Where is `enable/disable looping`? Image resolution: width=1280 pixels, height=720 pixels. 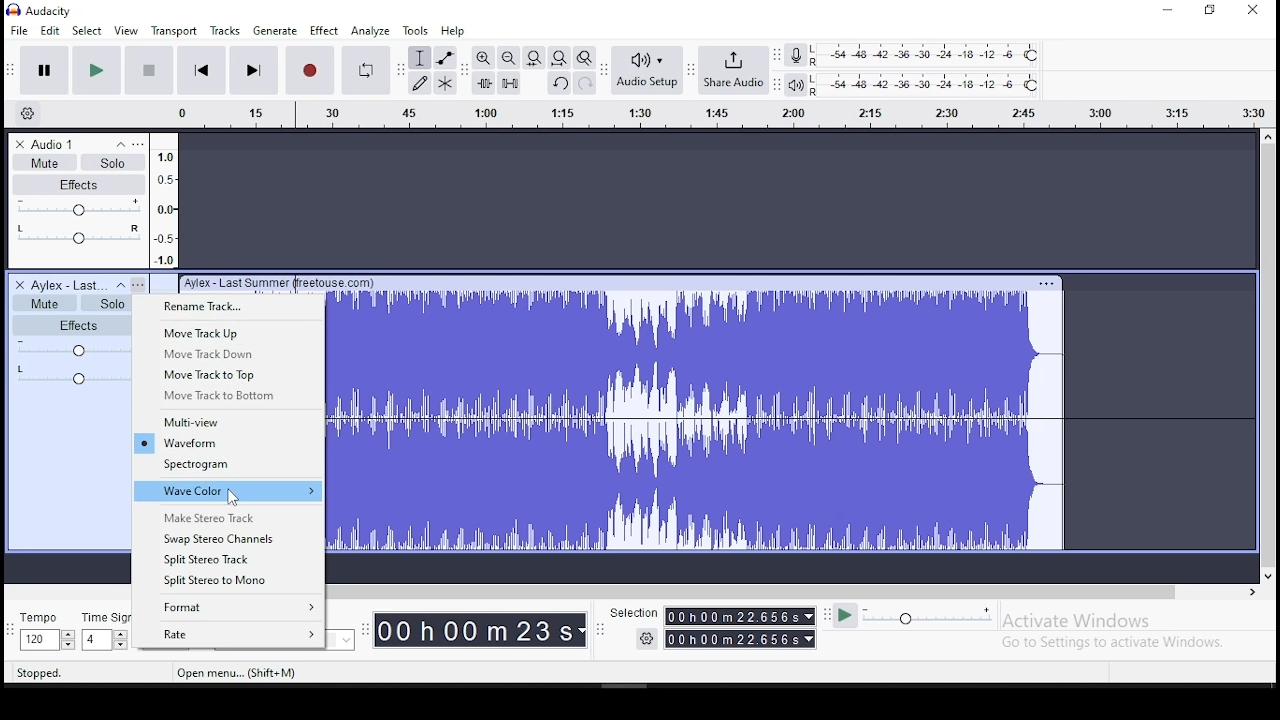
enable/disable looping is located at coordinates (364, 70).